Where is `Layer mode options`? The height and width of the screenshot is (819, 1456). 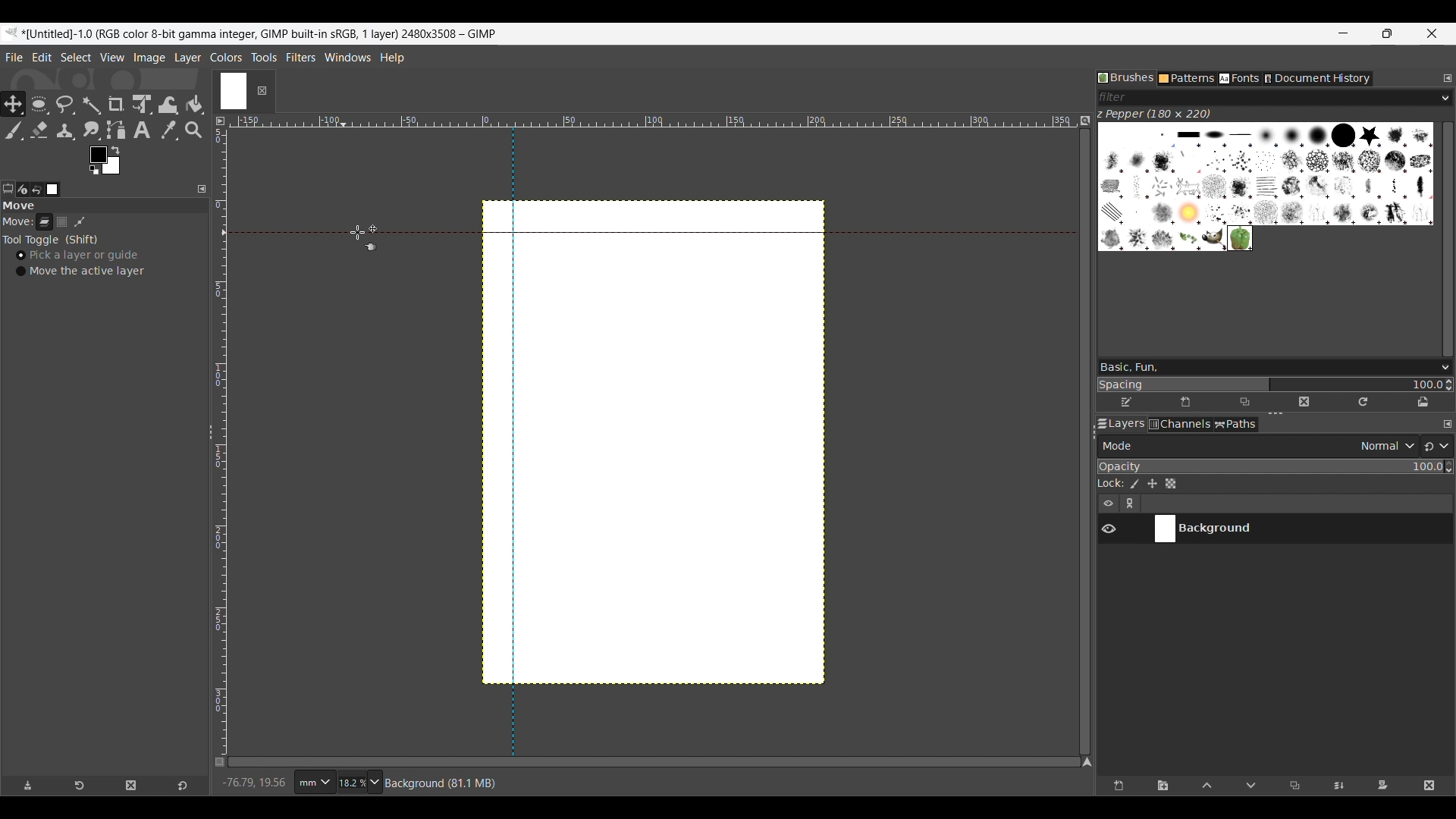 Layer mode options is located at coordinates (1257, 446).